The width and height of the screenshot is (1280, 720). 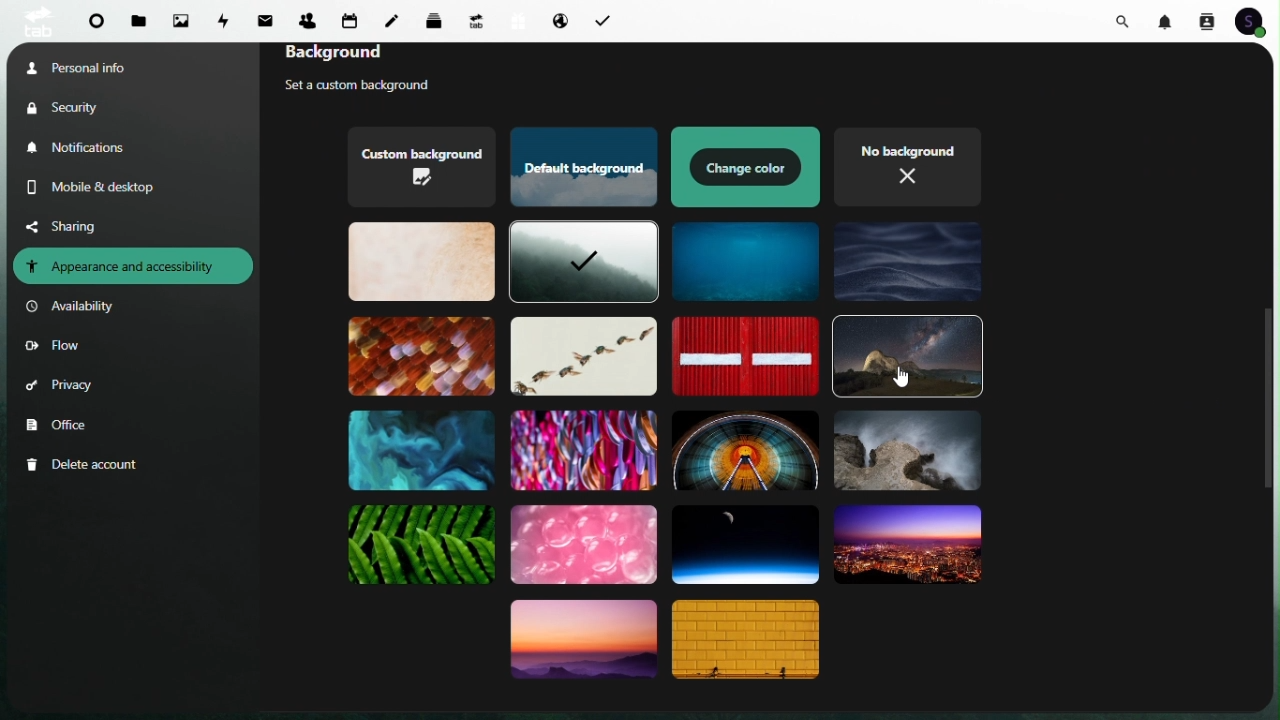 What do you see at coordinates (61, 389) in the screenshot?
I see `Privacy` at bounding box center [61, 389].